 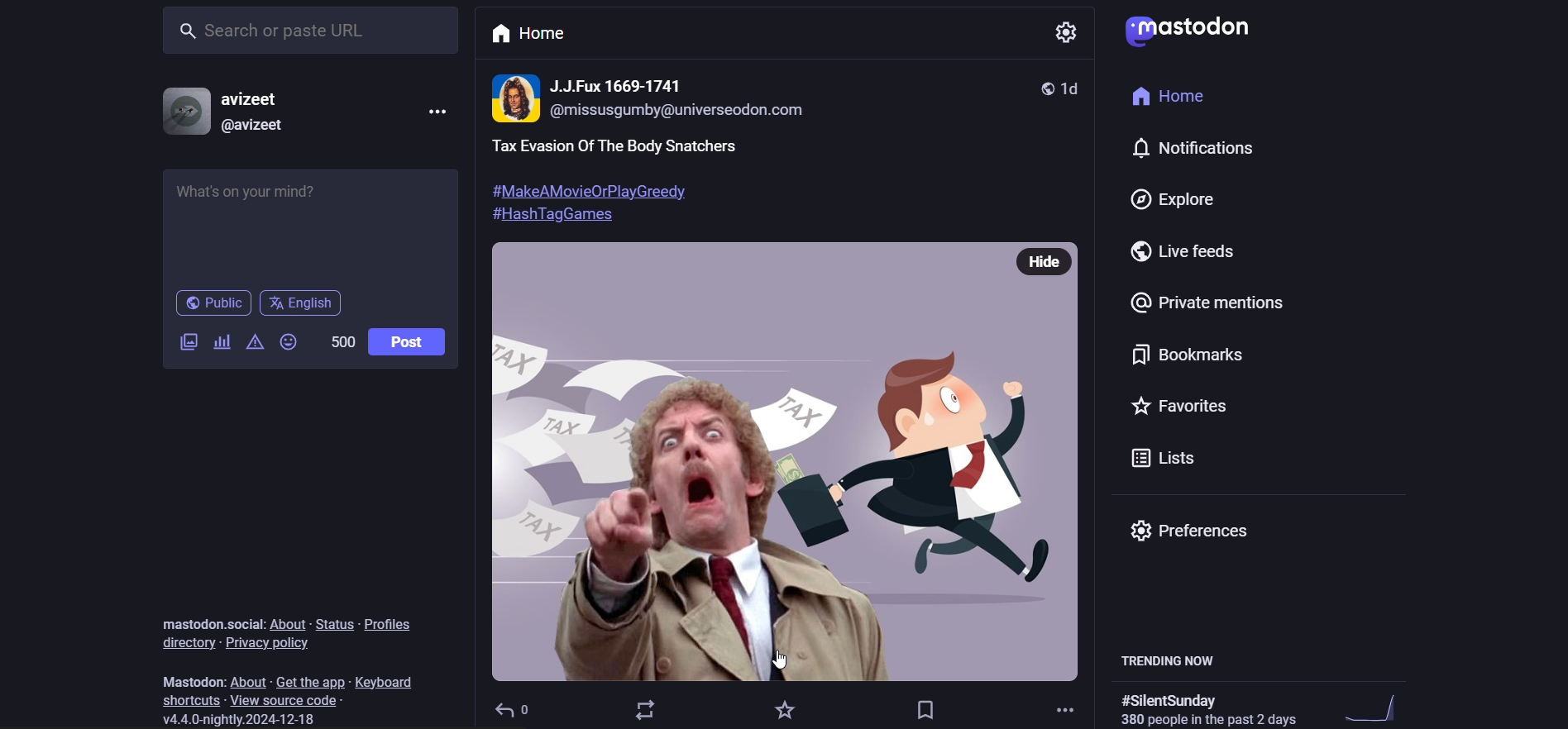 What do you see at coordinates (1183, 250) in the screenshot?
I see `live feed` at bounding box center [1183, 250].